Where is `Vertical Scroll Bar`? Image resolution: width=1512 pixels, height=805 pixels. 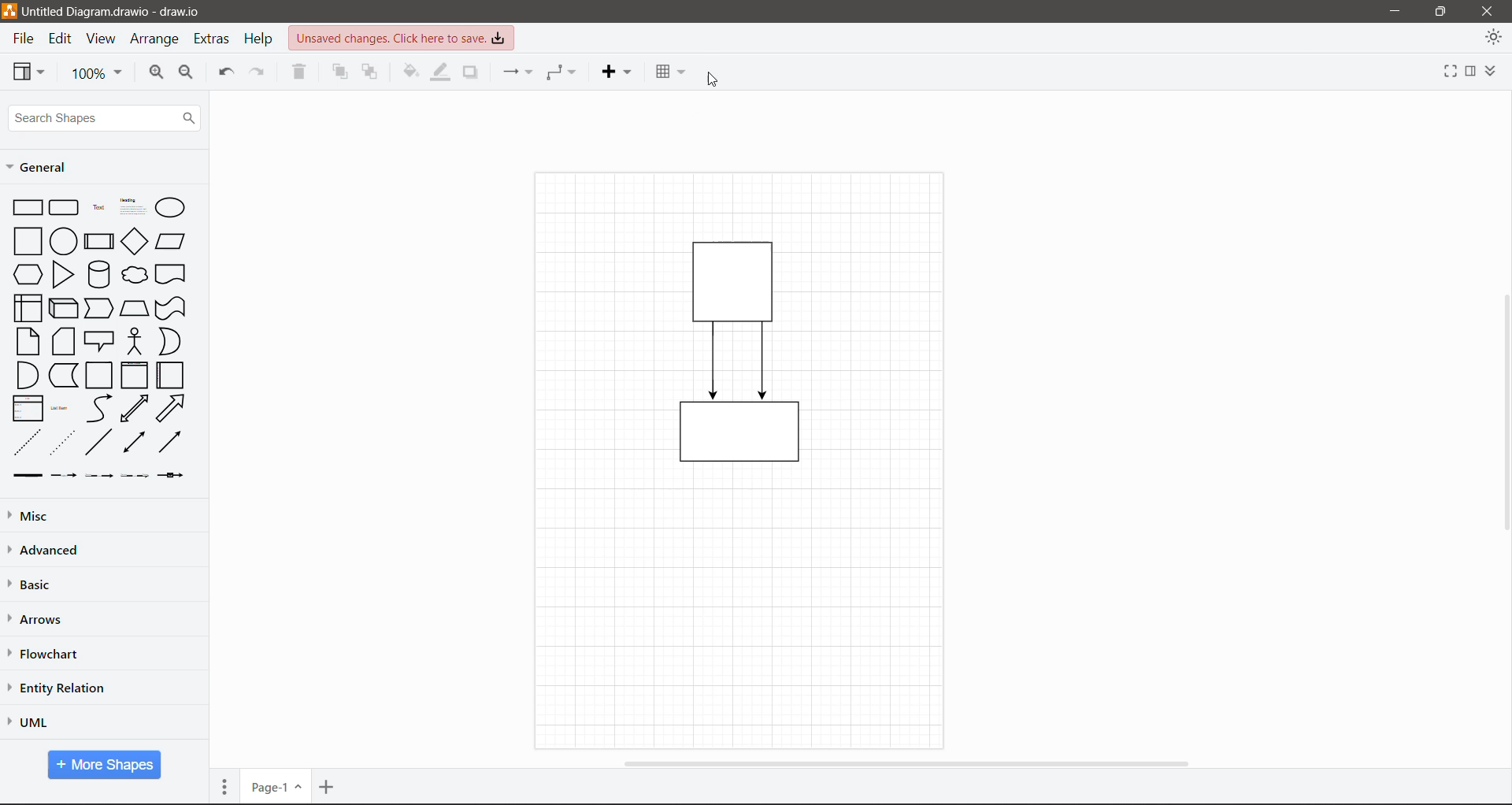
Vertical Scroll Bar is located at coordinates (1502, 412).